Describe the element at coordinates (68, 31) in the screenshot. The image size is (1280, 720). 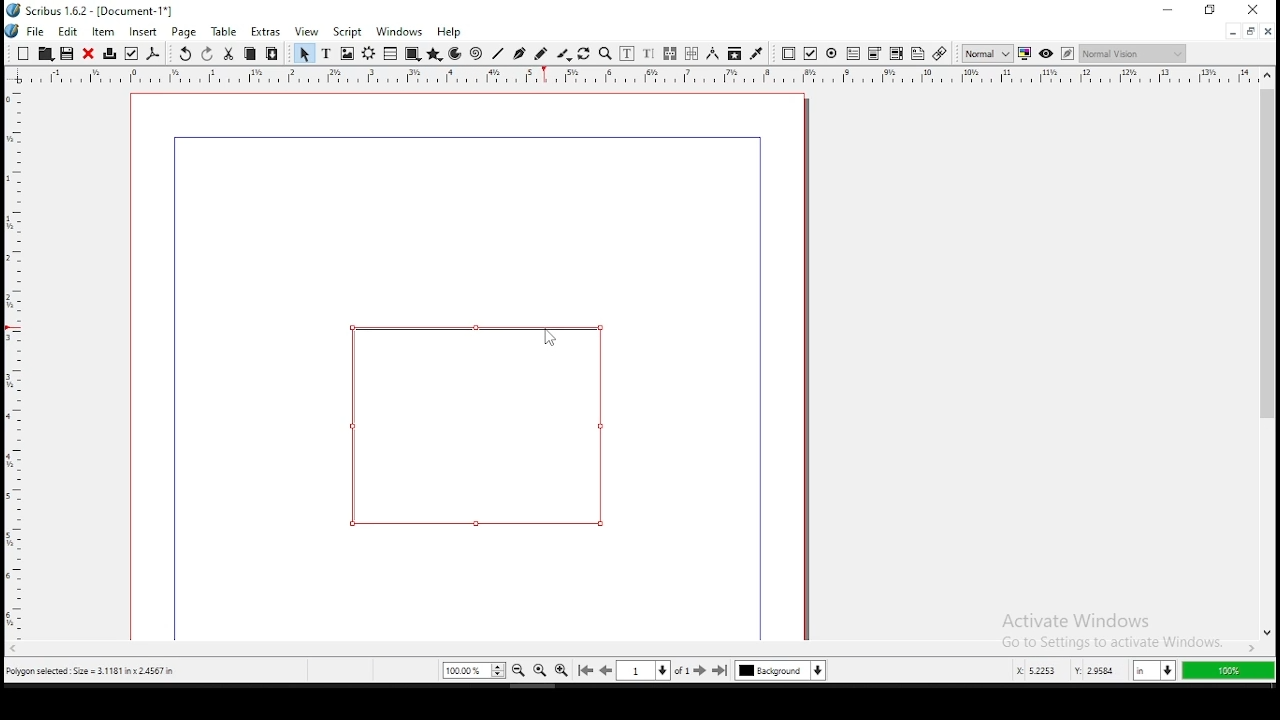
I see `edit` at that location.